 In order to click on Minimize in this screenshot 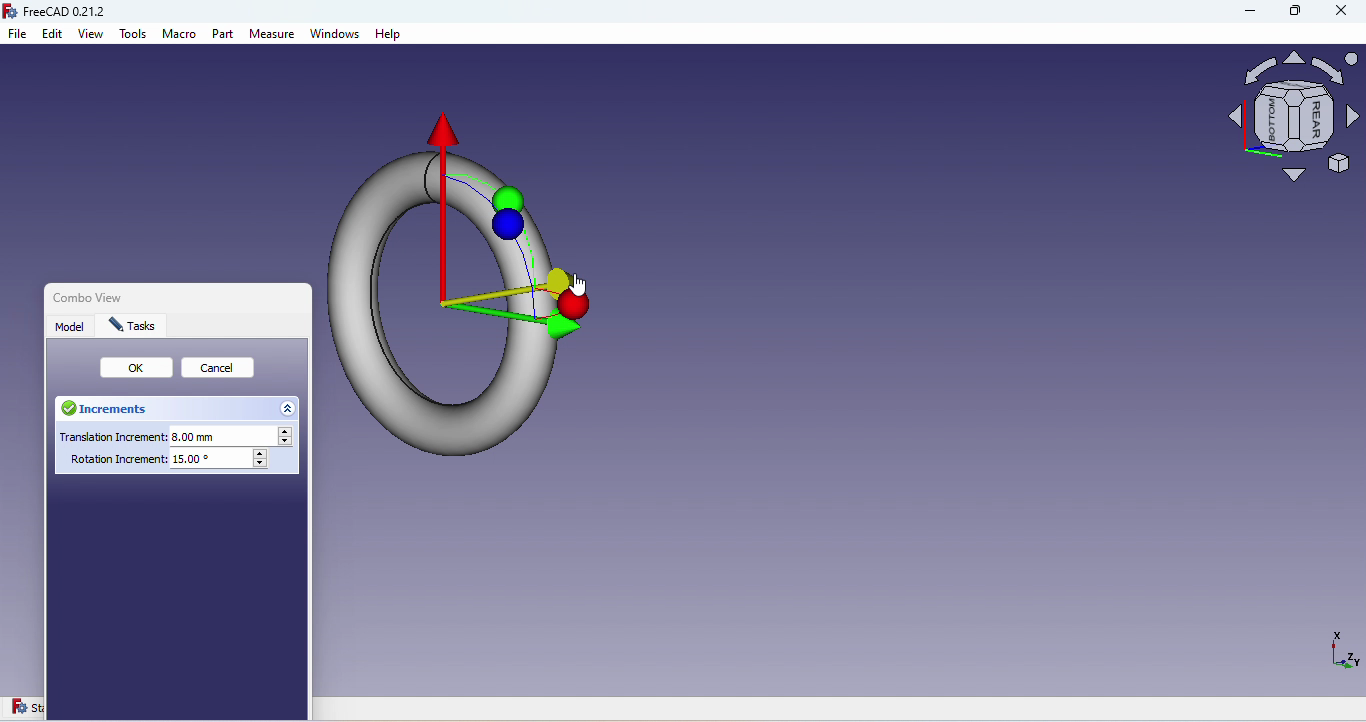, I will do `click(1241, 14)`.